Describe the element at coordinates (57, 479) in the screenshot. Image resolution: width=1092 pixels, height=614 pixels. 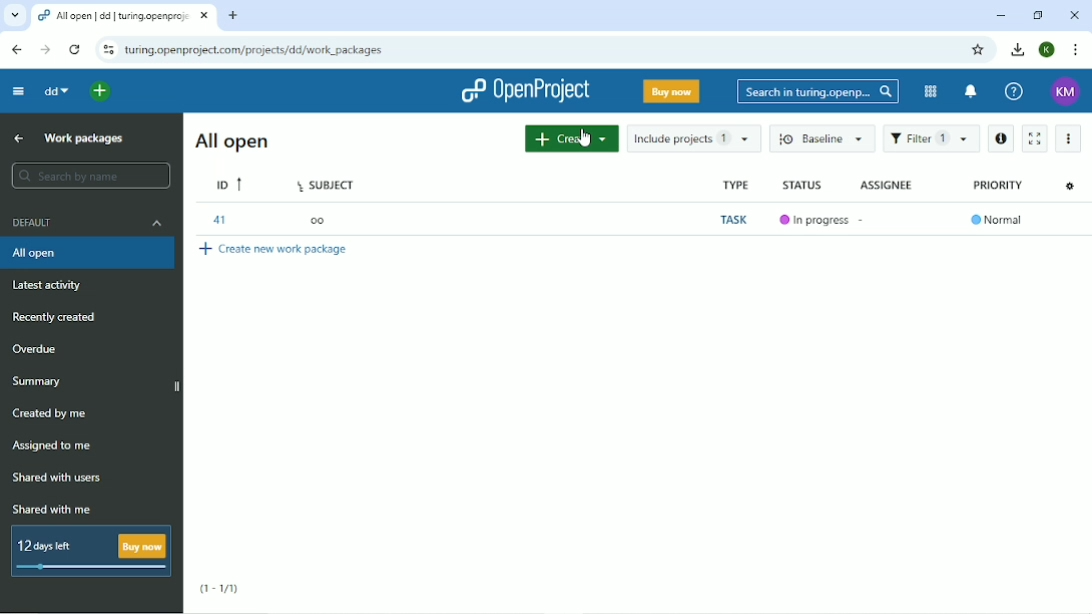
I see `Shared with users` at that location.